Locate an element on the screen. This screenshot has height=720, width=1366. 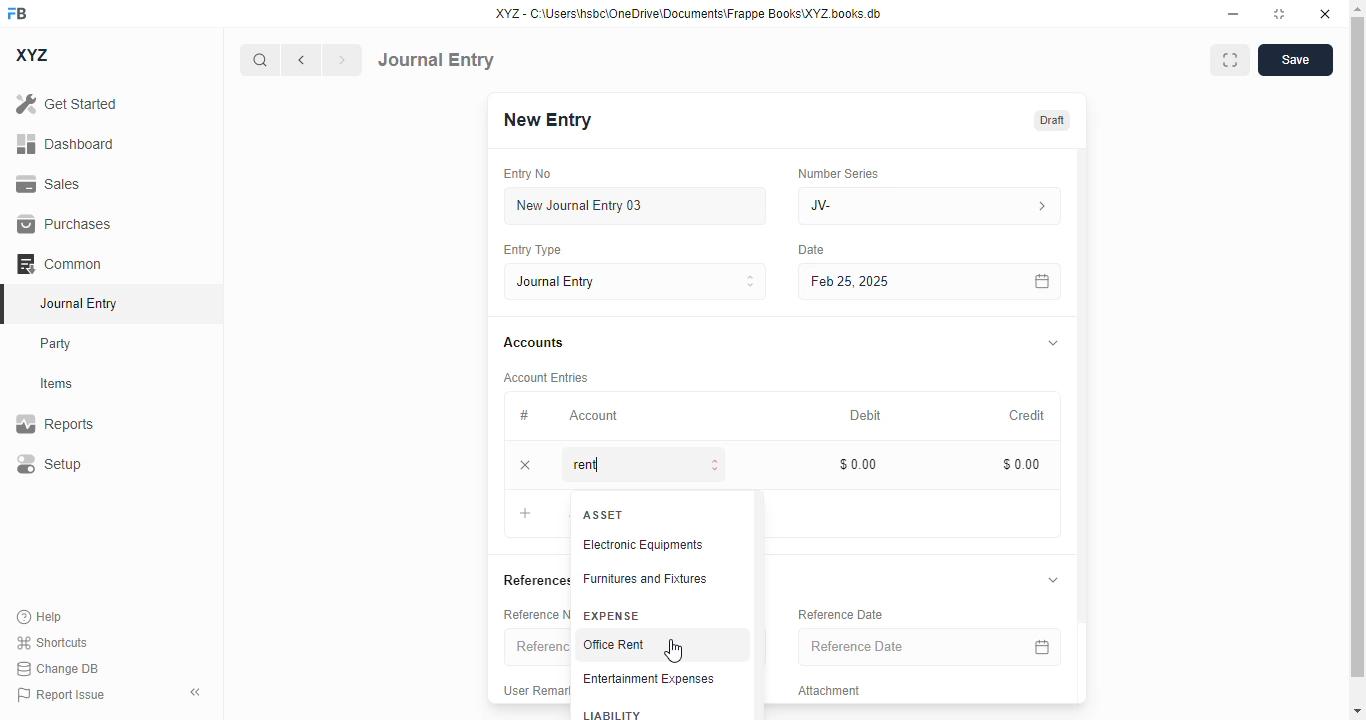
report issue is located at coordinates (61, 695).